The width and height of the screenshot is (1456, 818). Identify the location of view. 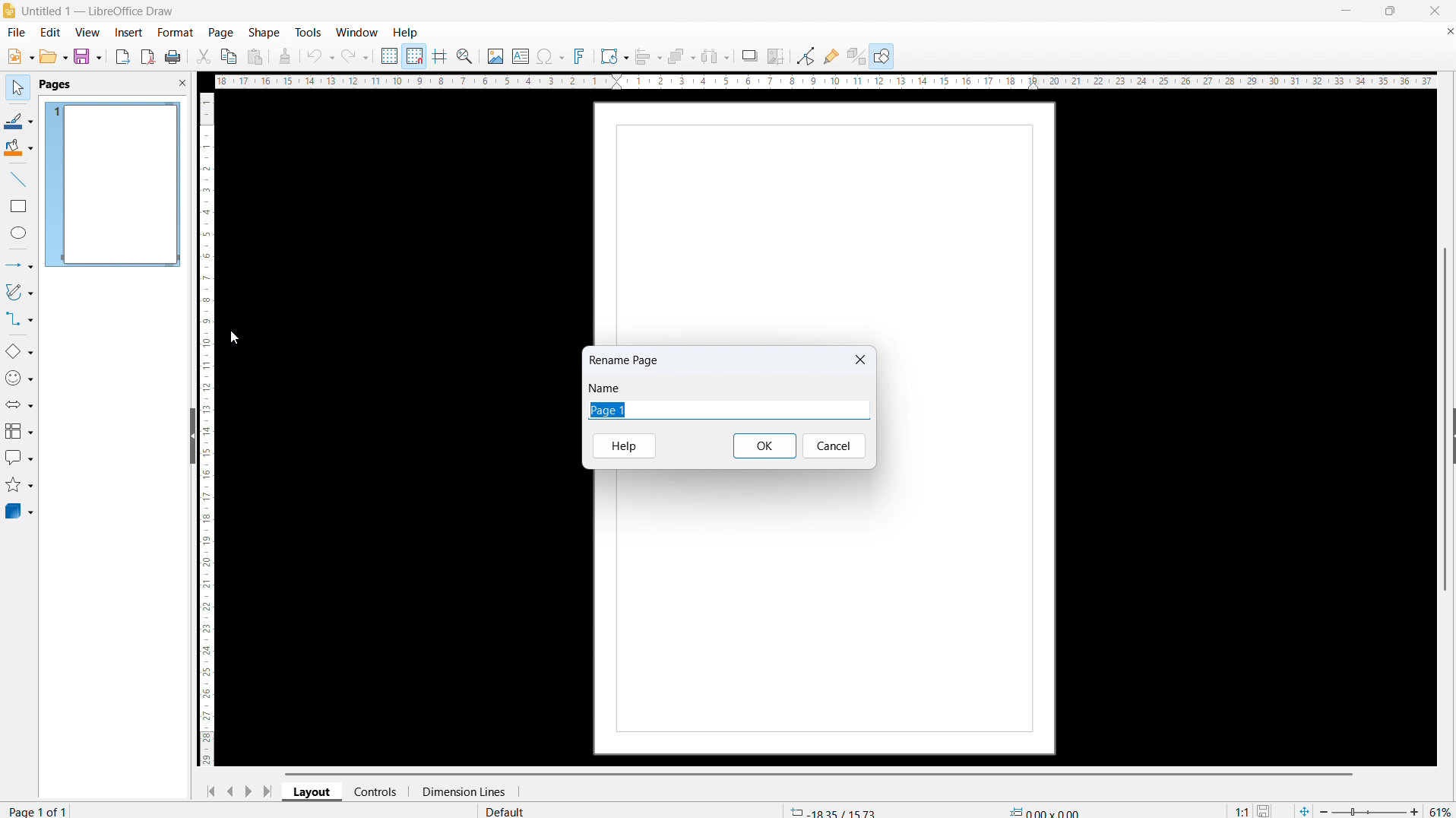
(87, 33).